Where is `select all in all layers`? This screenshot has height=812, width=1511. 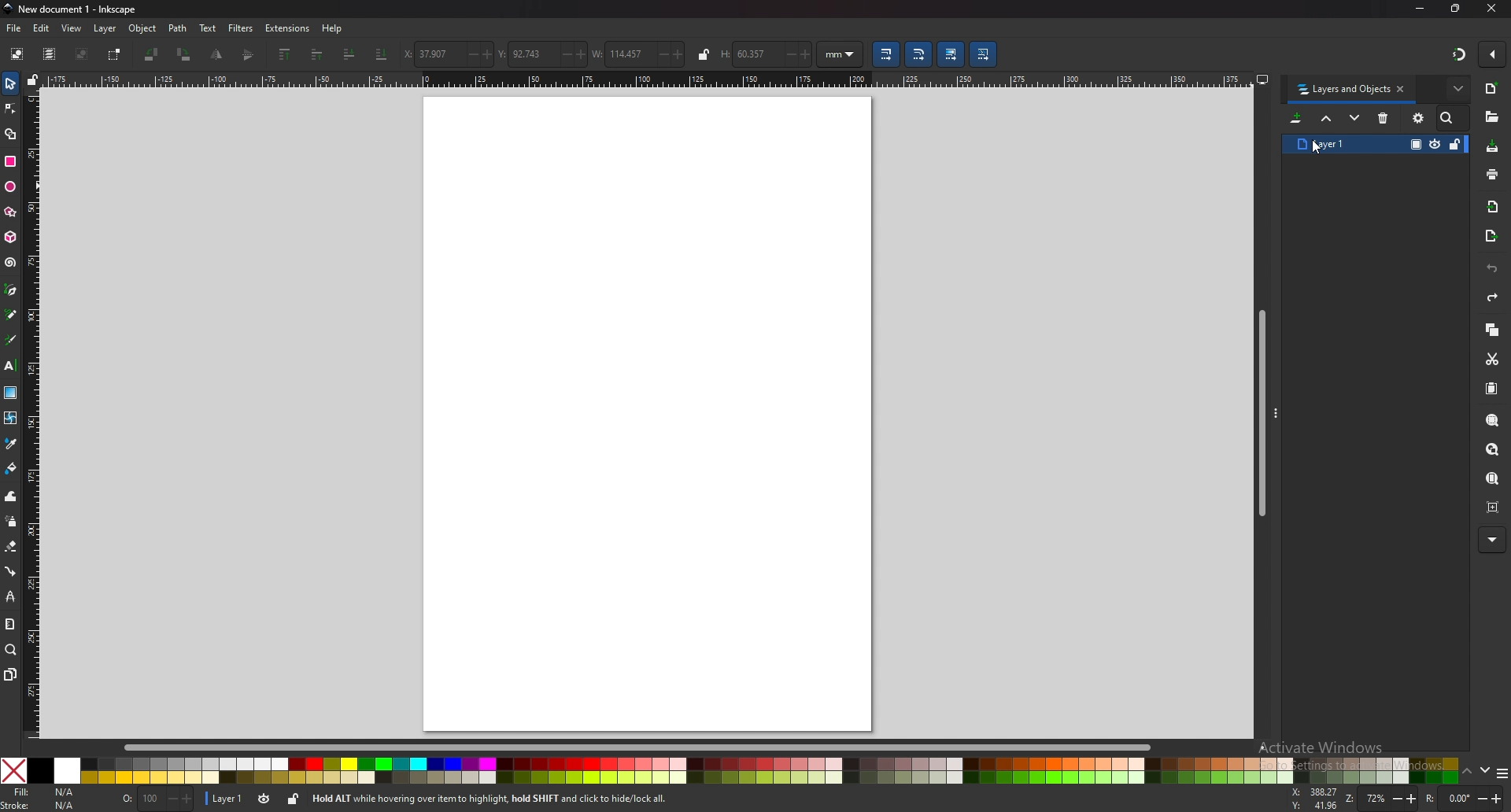 select all in all layers is located at coordinates (51, 54).